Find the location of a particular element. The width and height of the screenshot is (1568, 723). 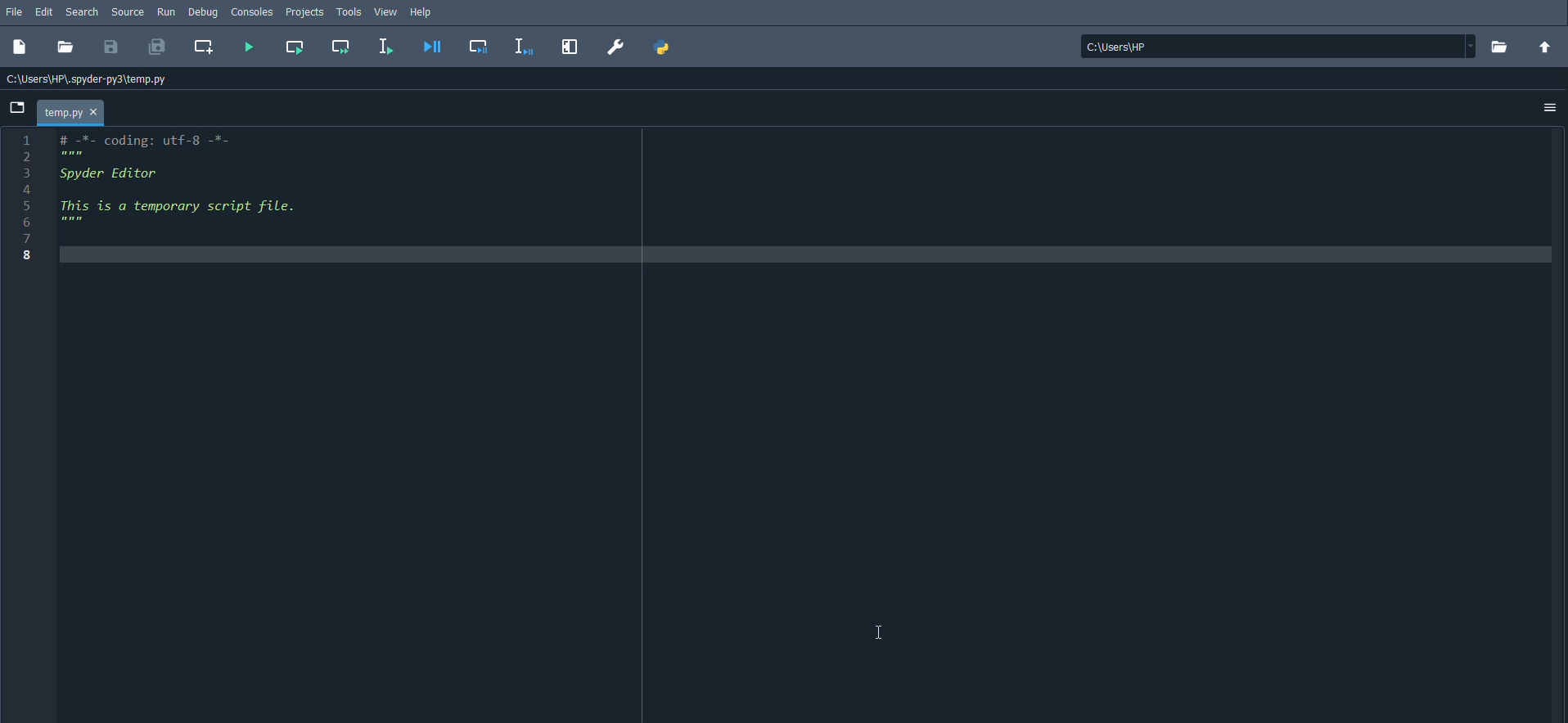

line numbers is located at coordinates (28, 199).